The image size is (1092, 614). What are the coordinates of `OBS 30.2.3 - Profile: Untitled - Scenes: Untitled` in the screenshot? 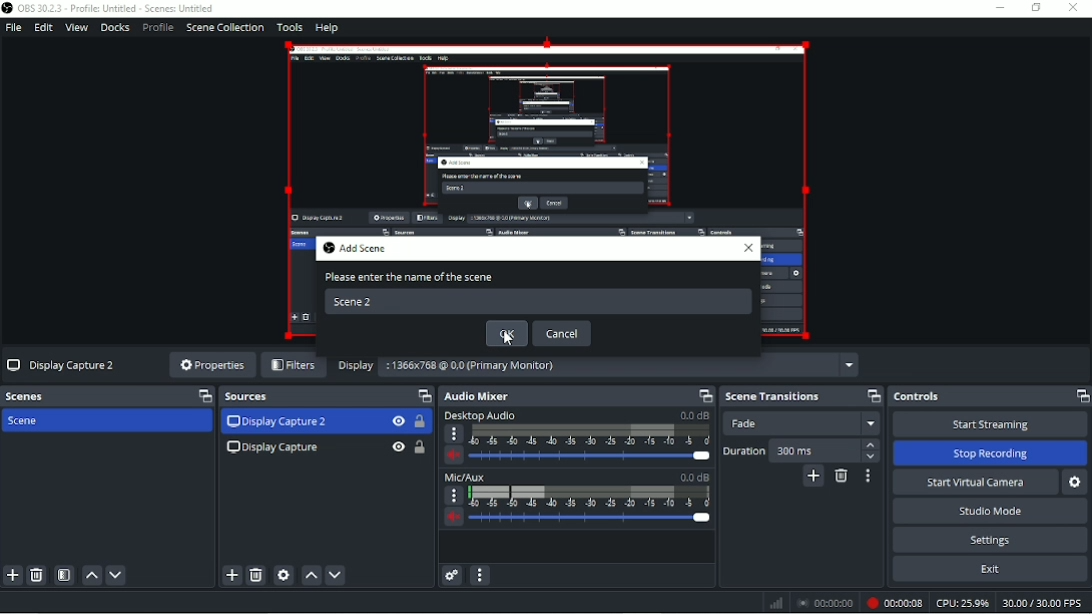 It's located at (107, 8).